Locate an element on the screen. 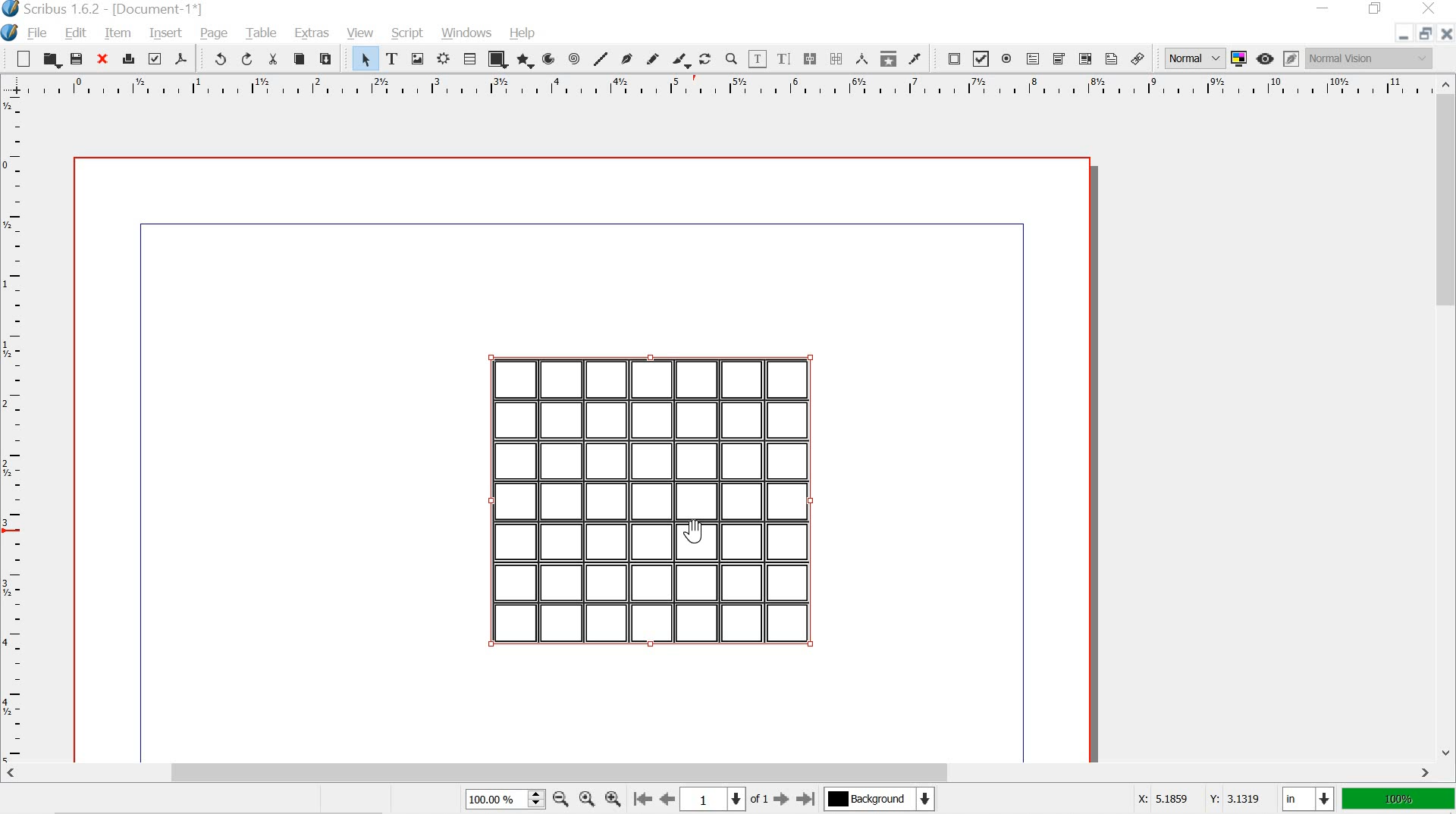 Image resolution: width=1456 pixels, height=814 pixels. go to the first page is located at coordinates (645, 800).